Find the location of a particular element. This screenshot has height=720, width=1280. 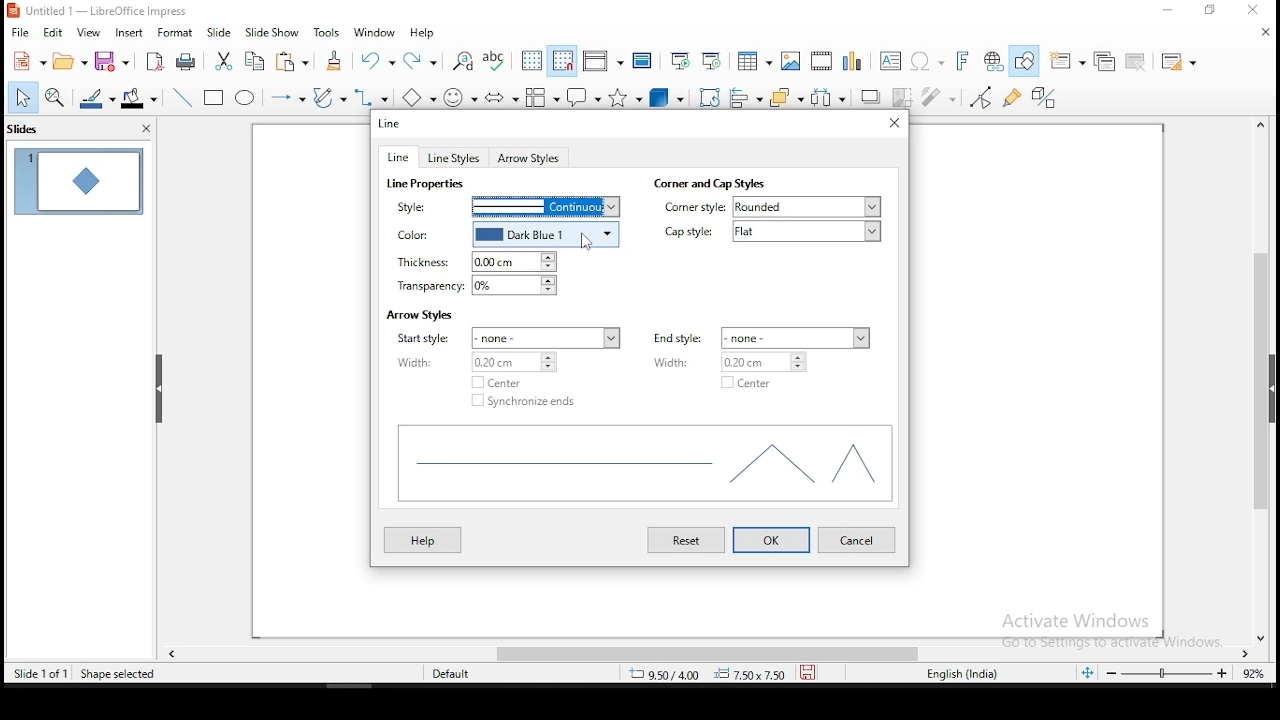

flowchart is located at coordinates (543, 97).